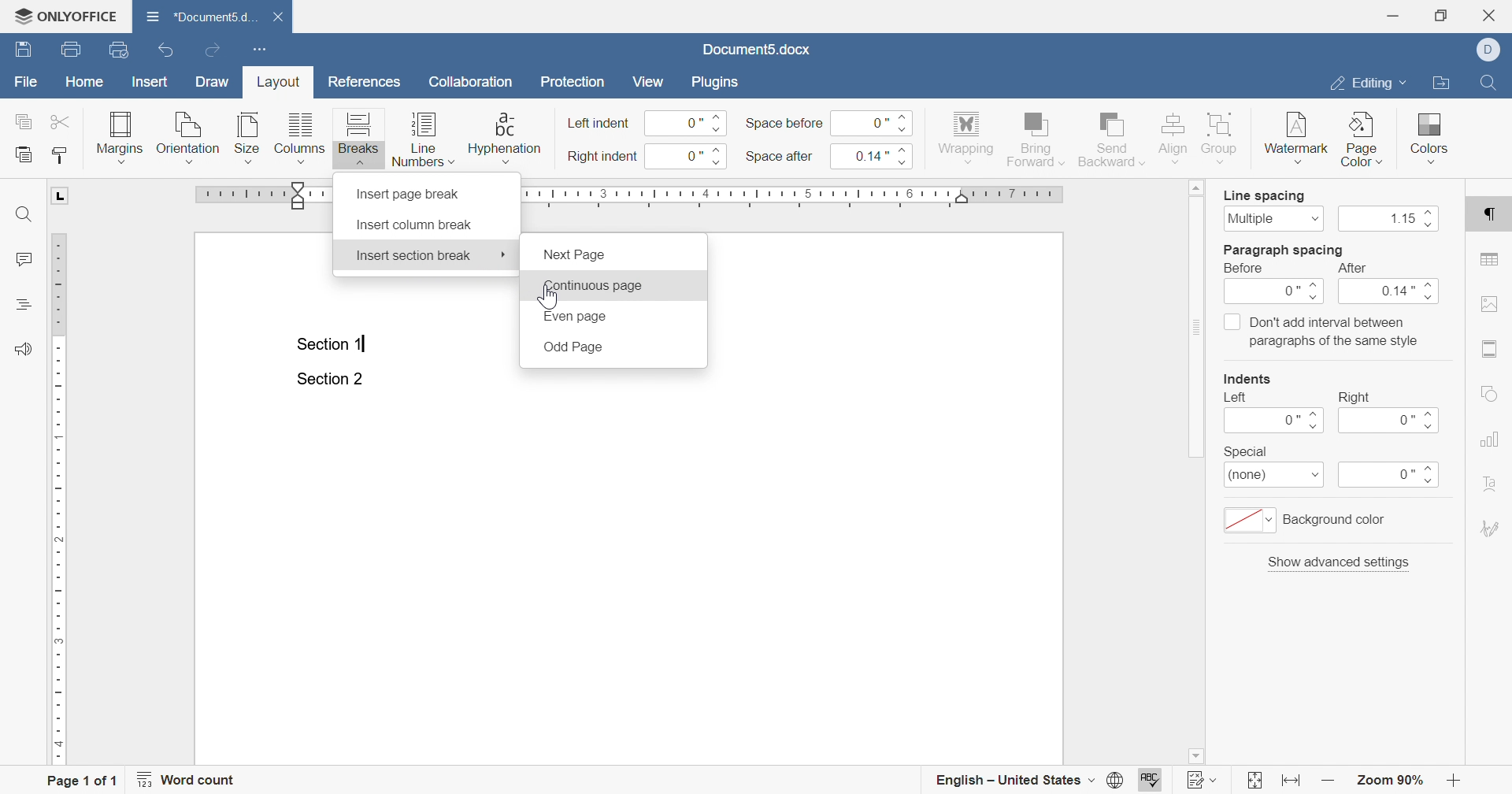  What do you see at coordinates (61, 122) in the screenshot?
I see `cut` at bounding box center [61, 122].